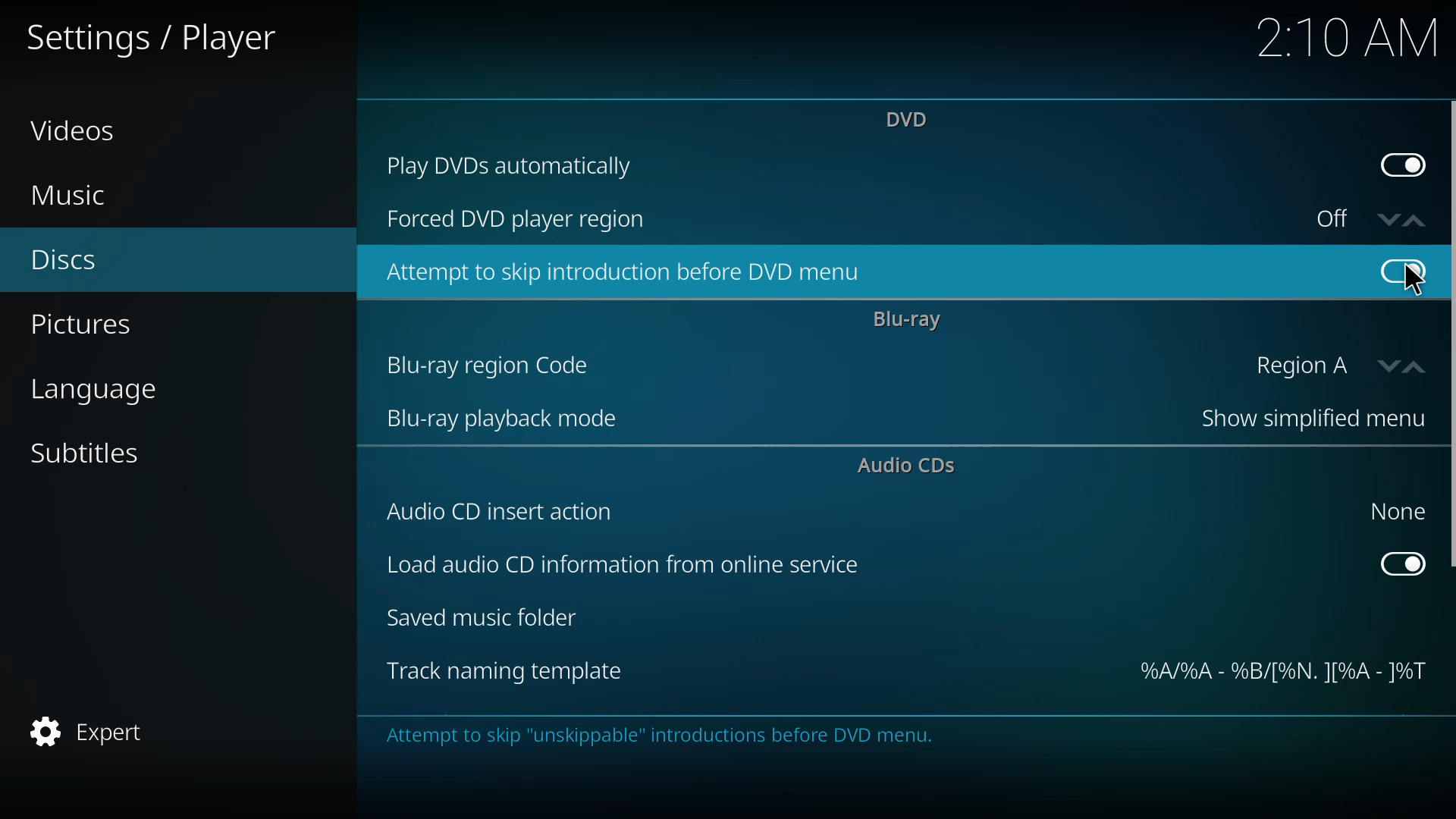 The image size is (1456, 819). What do you see at coordinates (75, 130) in the screenshot?
I see `videos` at bounding box center [75, 130].